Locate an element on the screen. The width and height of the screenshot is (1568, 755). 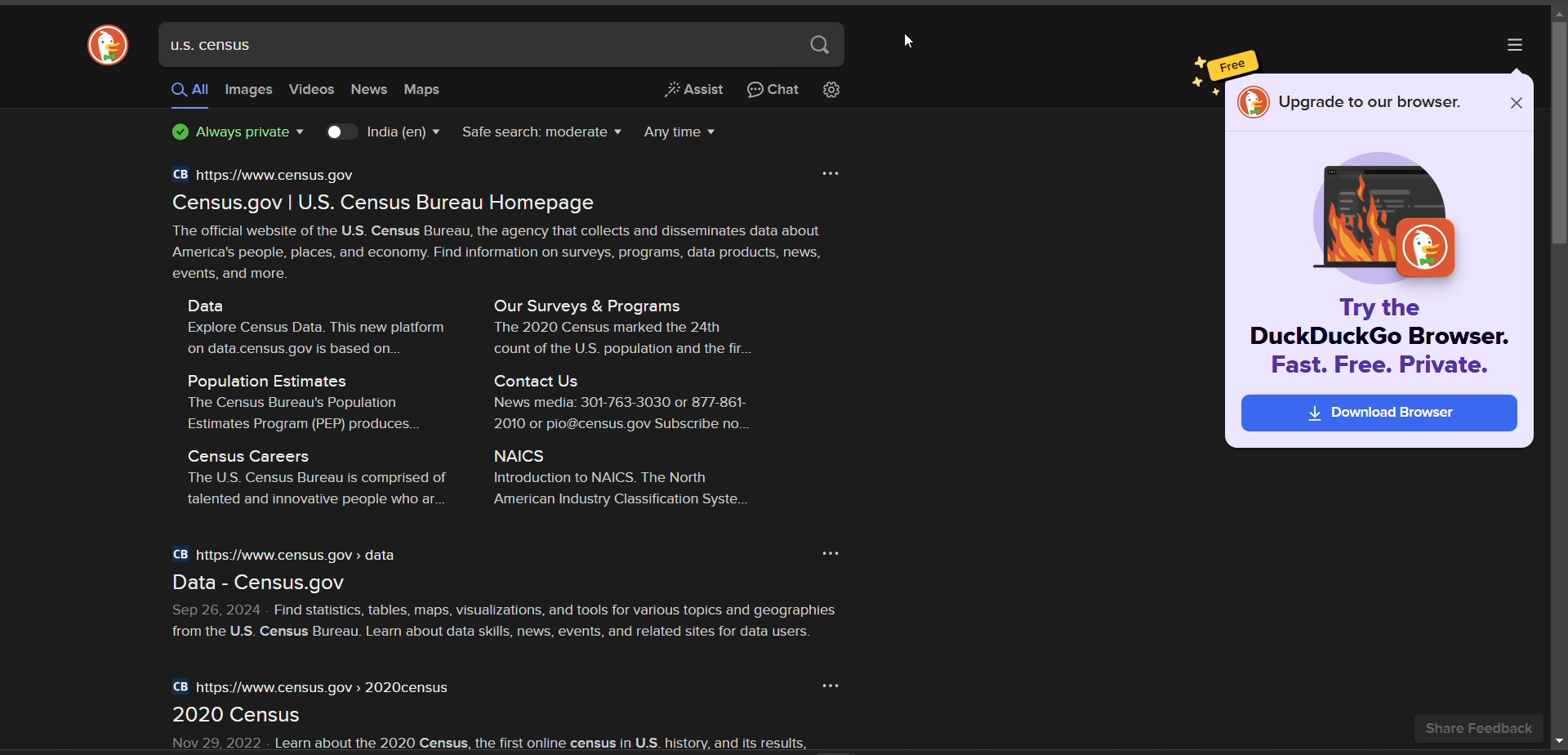
images is located at coordinates (251, 92).